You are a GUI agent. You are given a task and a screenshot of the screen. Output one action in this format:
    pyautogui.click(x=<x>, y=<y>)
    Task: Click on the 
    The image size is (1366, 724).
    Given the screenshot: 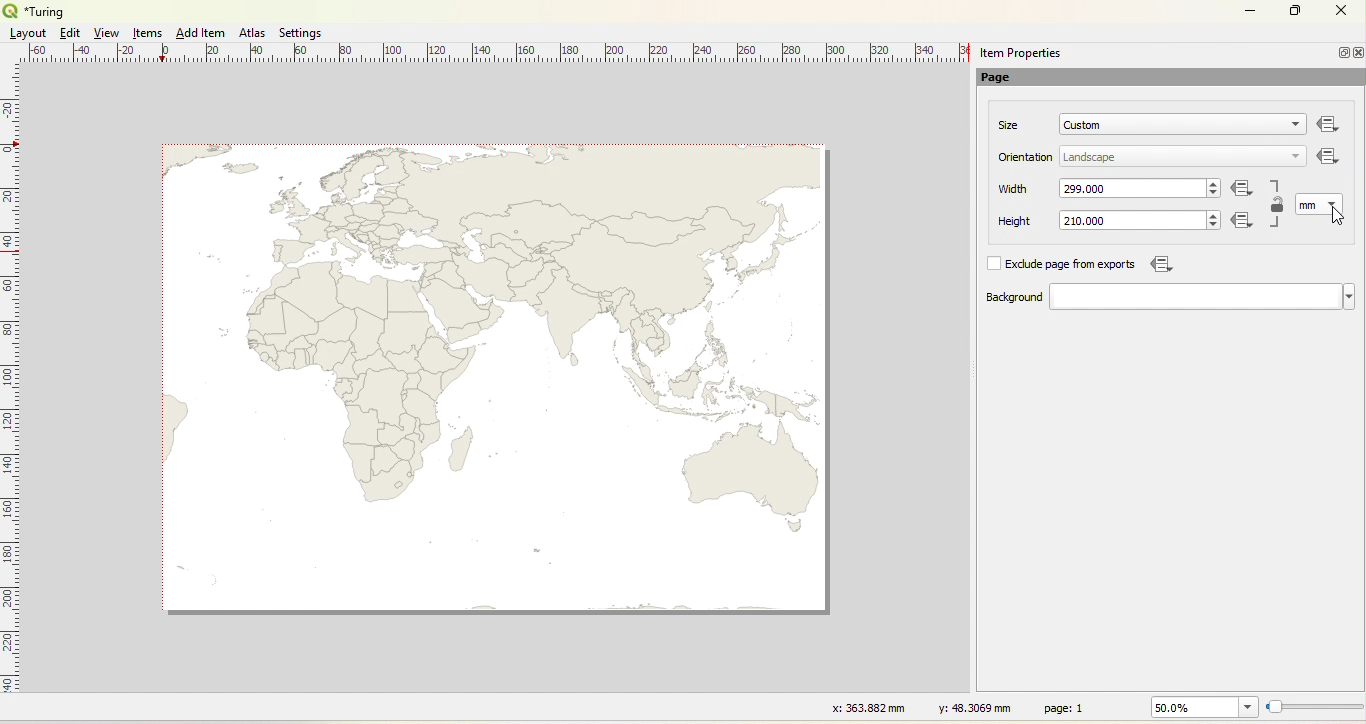 What is the action you would take?
    pyautogui.click(x=1329, y=125)
    